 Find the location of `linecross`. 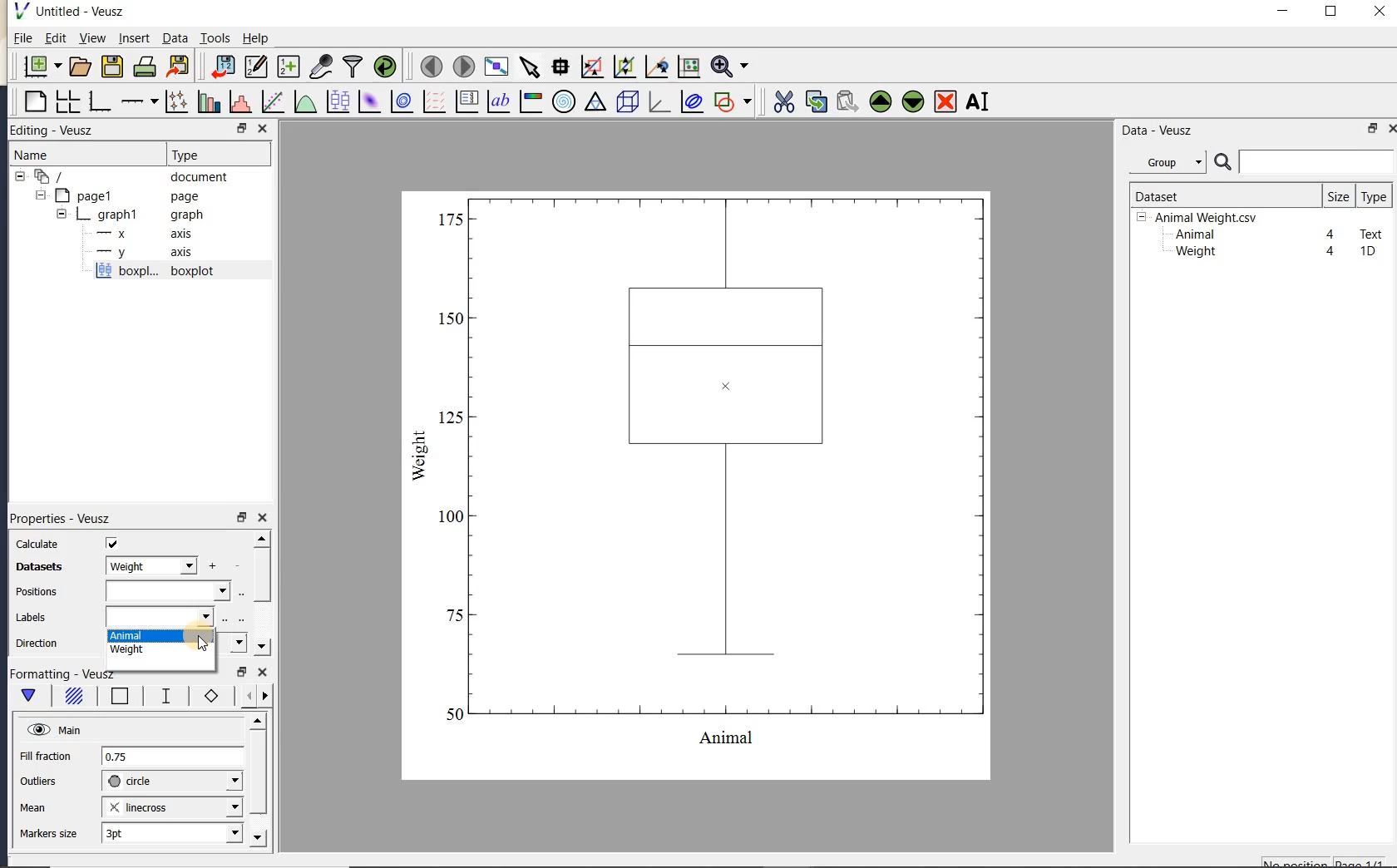

linecross is located at coordinates (170, 806).